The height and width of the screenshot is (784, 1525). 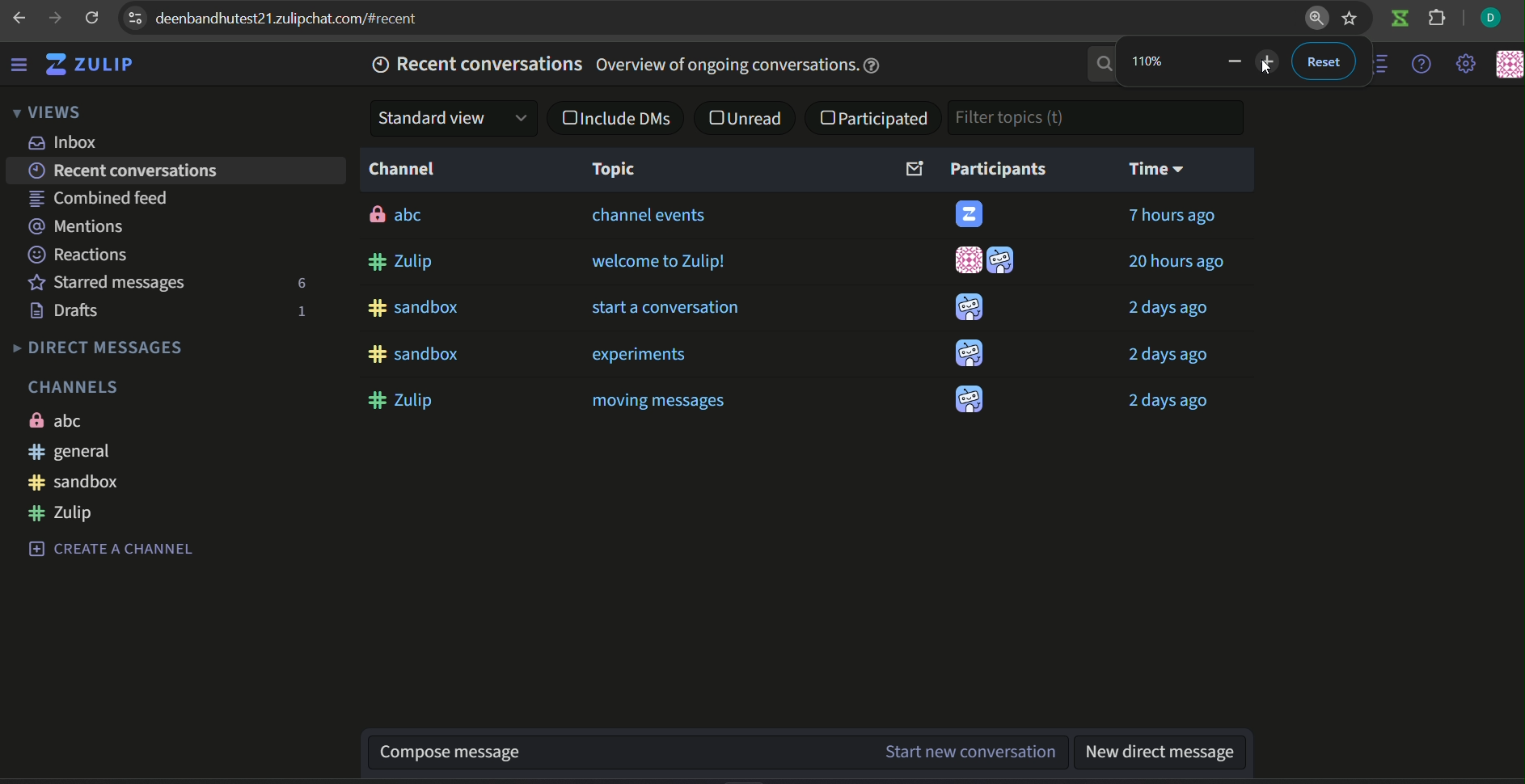 I want to click on #sandbox, so click(x=80, y=483).